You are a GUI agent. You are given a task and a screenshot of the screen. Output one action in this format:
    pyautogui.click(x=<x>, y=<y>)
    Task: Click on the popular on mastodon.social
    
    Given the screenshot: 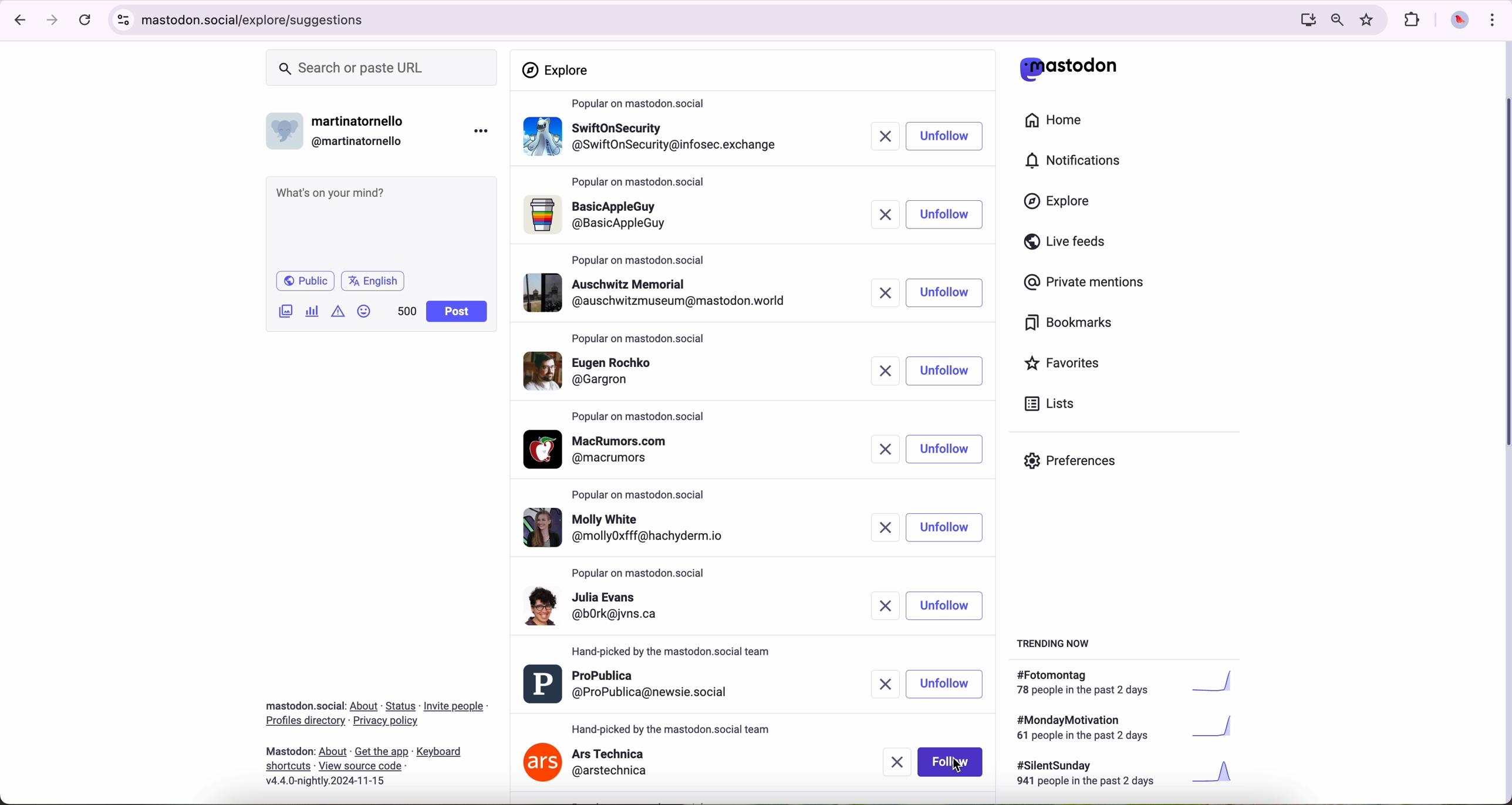 What is the action you would take?
    pyautogui.click(x=643, y=497)
    